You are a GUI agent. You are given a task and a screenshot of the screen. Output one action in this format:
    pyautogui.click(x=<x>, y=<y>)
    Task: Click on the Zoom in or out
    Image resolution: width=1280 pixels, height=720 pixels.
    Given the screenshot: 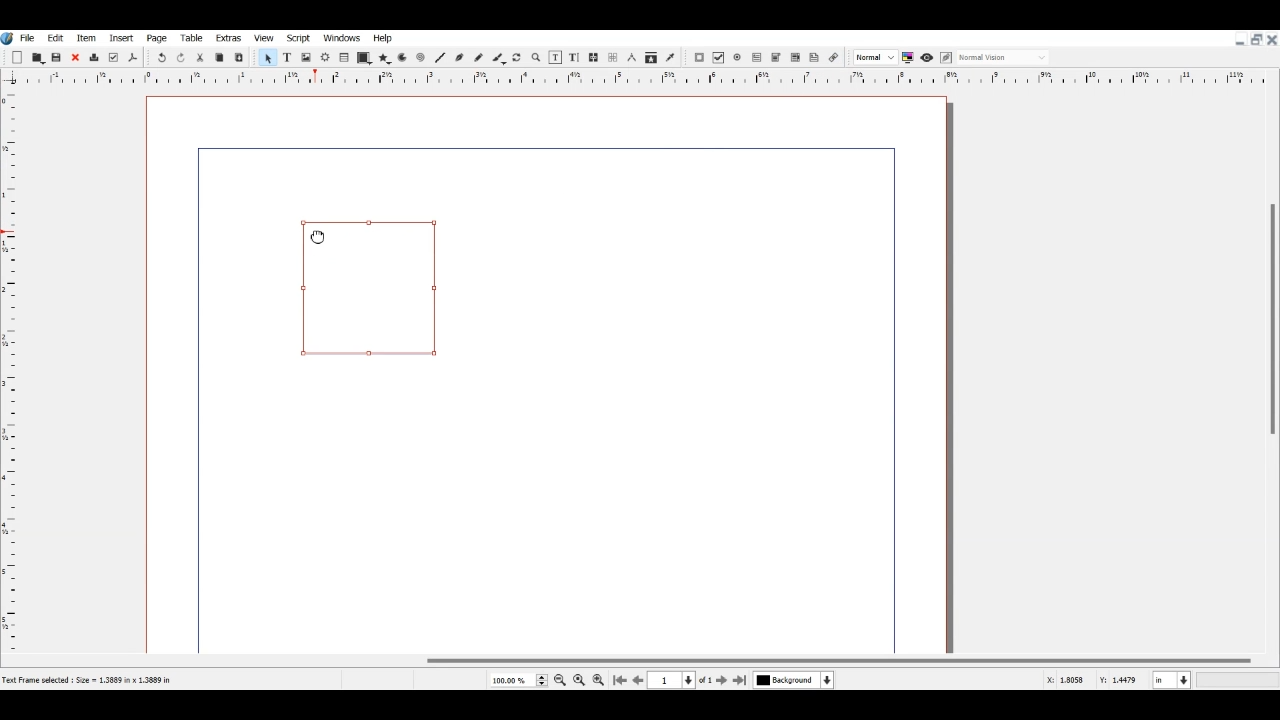 What is the action you would take?
    pyautogui.click(x=535, y=57)
    